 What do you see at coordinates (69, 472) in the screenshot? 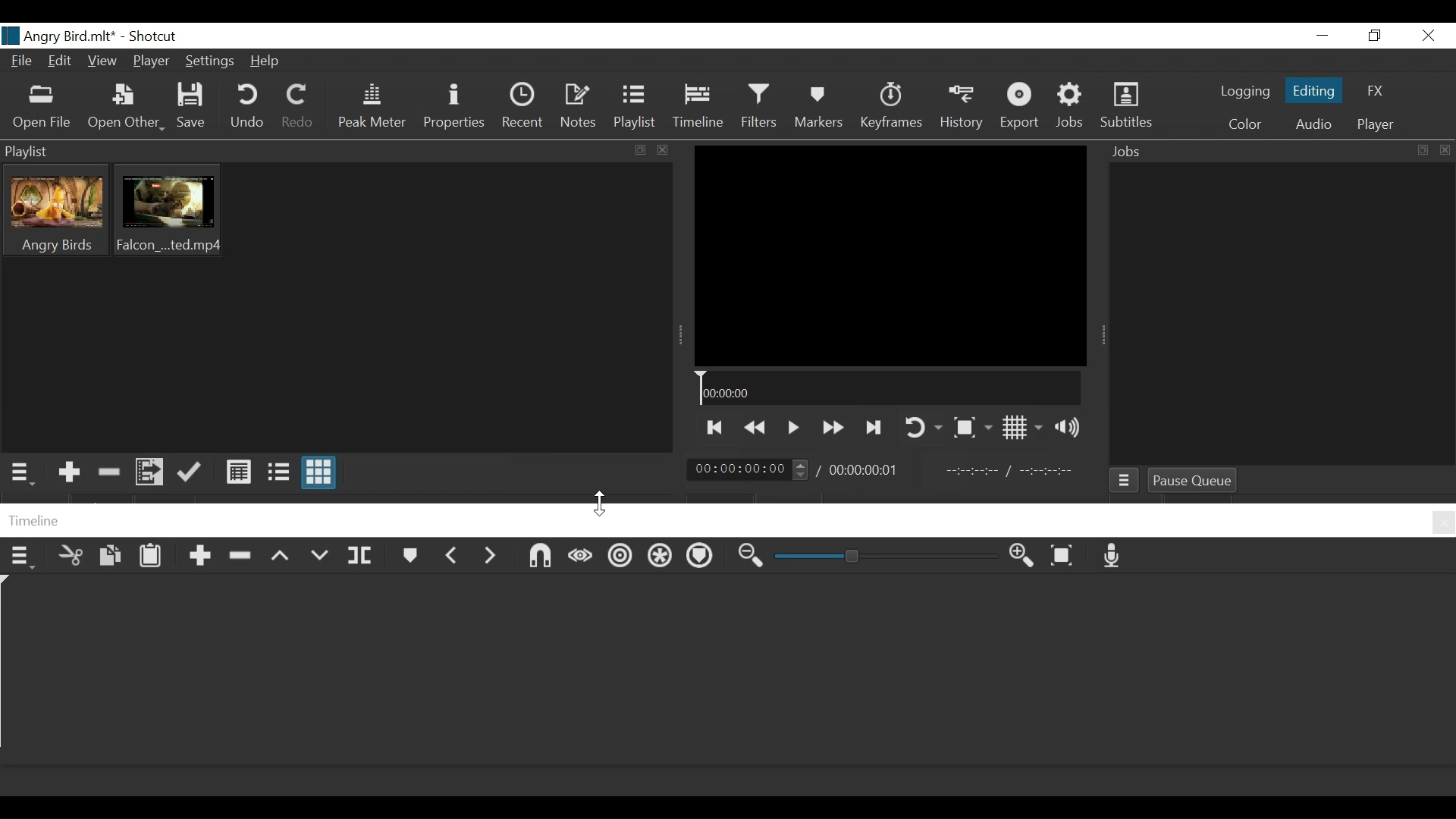
I see `Add the Source to the playlist` at bounding box center [69, 472].